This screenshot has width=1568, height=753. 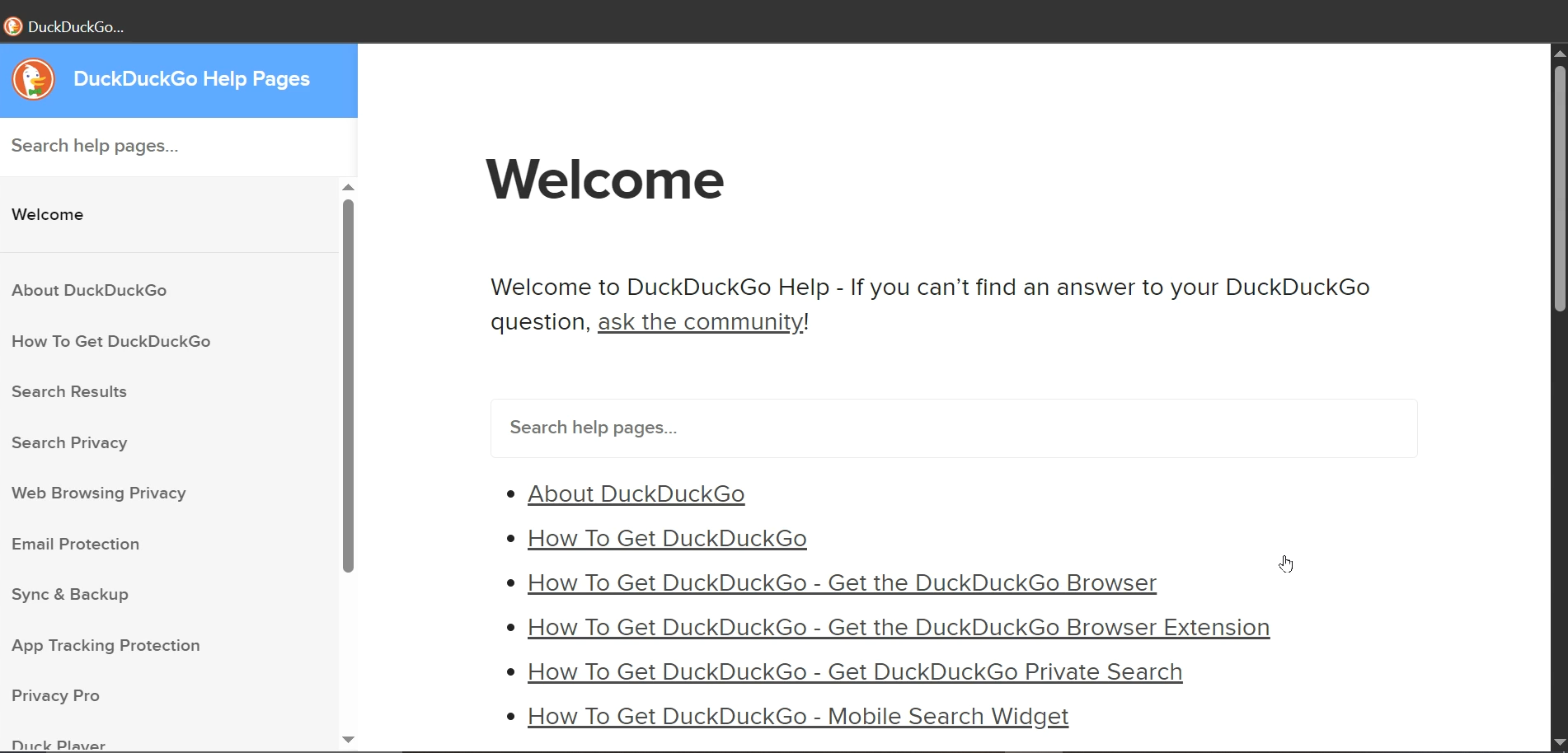 What do you see at coordinates (794, 720) in the screenshot?
I see `* How To Get DuckDuckGo - Mobile Search Widget` at bounding box center [794, 720].